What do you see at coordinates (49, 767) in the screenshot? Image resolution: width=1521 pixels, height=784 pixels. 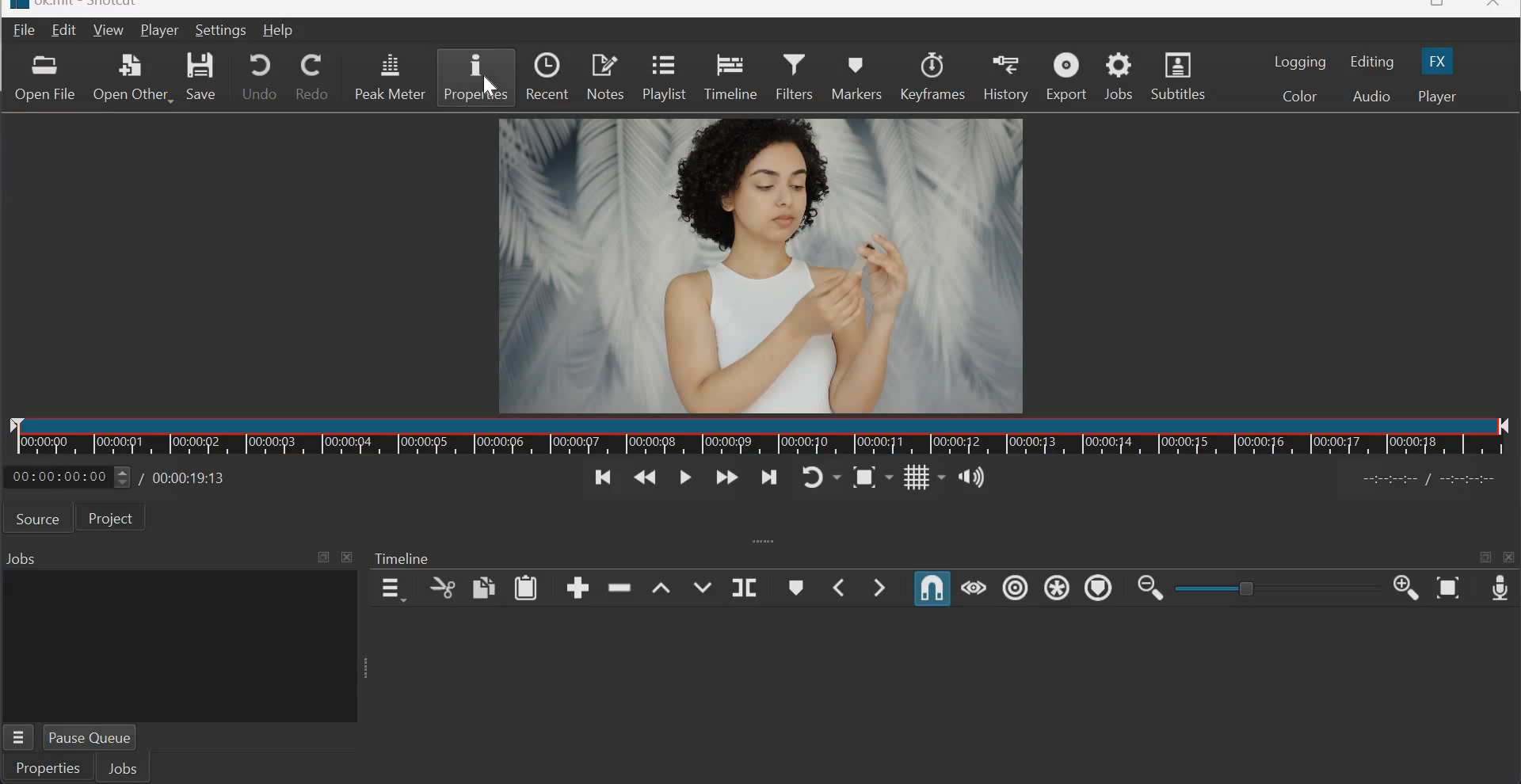 I see `Properties` at bounding box center [49, 767].